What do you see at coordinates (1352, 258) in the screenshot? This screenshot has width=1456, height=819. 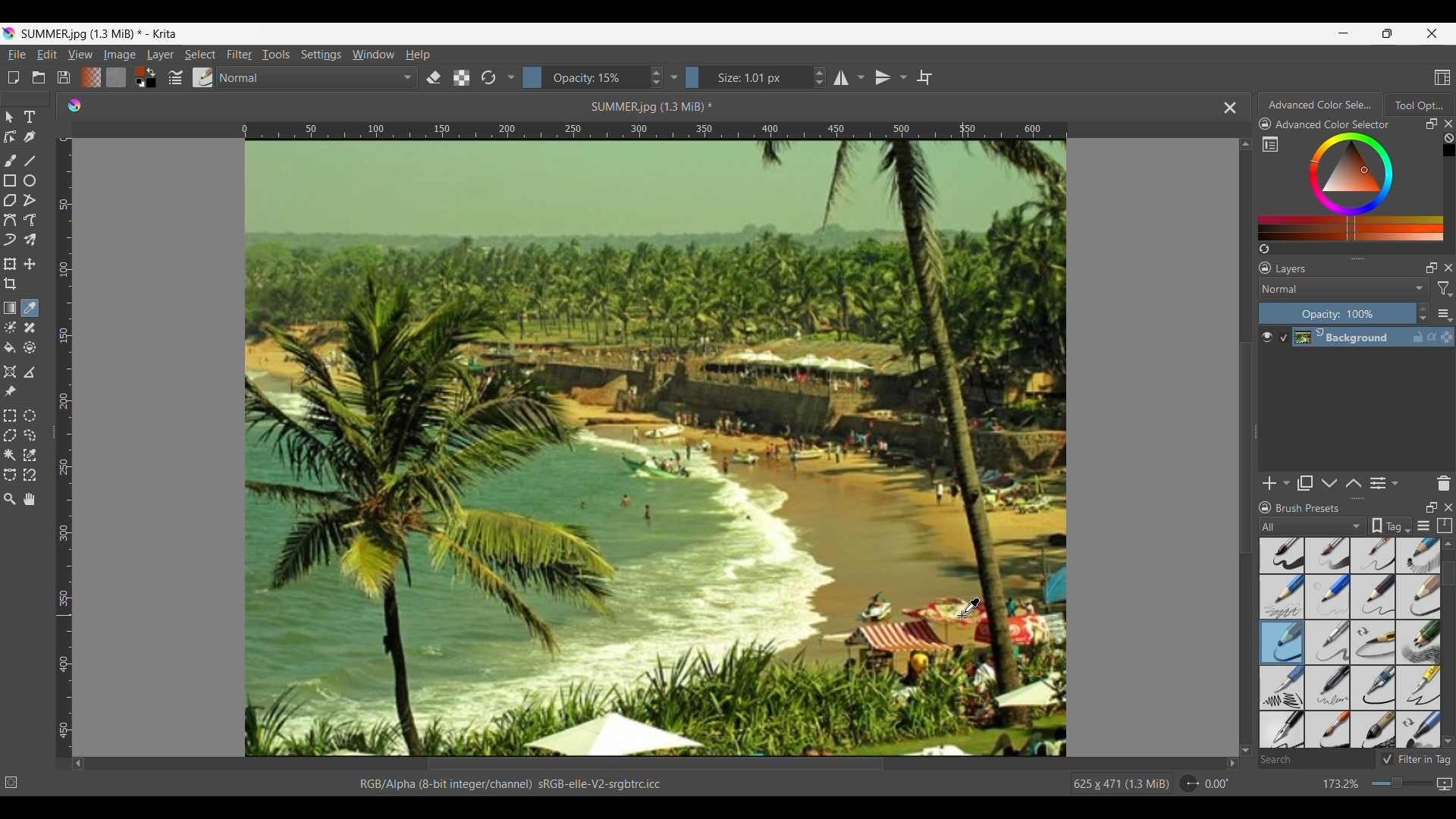 I see `Change height of panels attached to the line` at bounding box center [1352, 258].